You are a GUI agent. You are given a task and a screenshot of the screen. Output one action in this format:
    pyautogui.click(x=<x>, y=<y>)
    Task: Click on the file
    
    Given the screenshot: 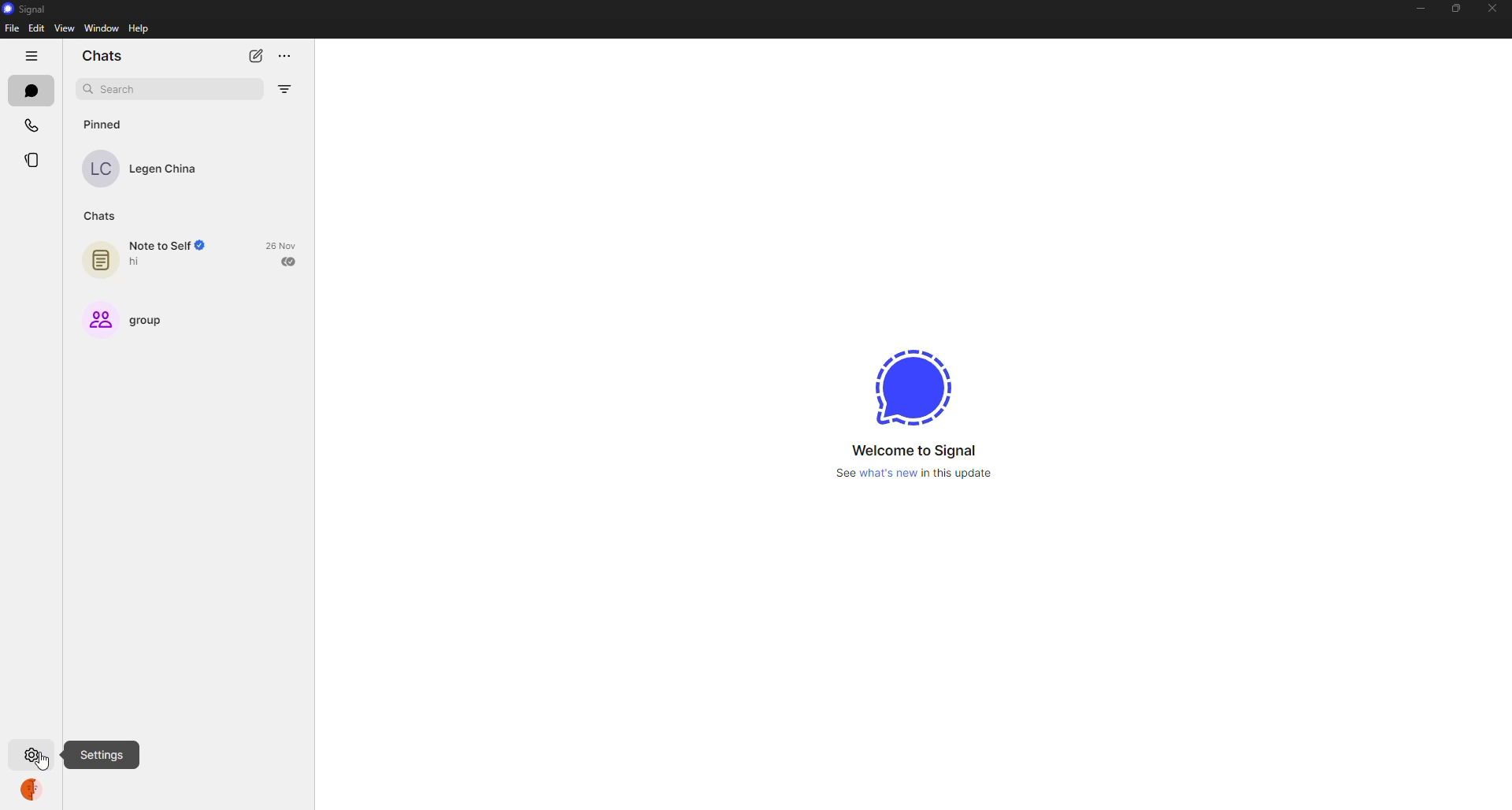 What is the action you would take?
    pyautogui.click(x=13, y=29)
    